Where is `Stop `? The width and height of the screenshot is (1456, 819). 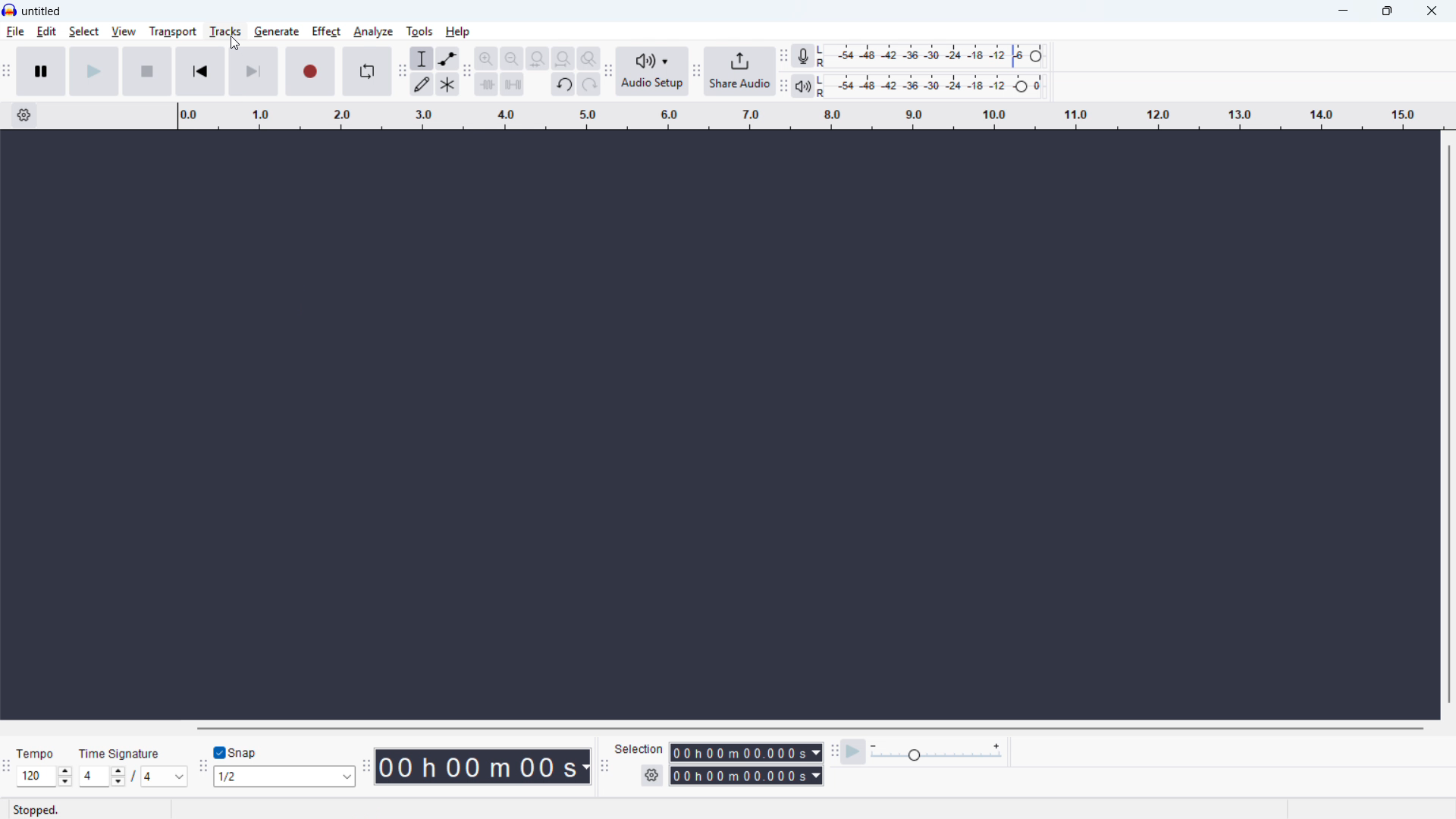
Stop  is located at coordinates (149, 71).